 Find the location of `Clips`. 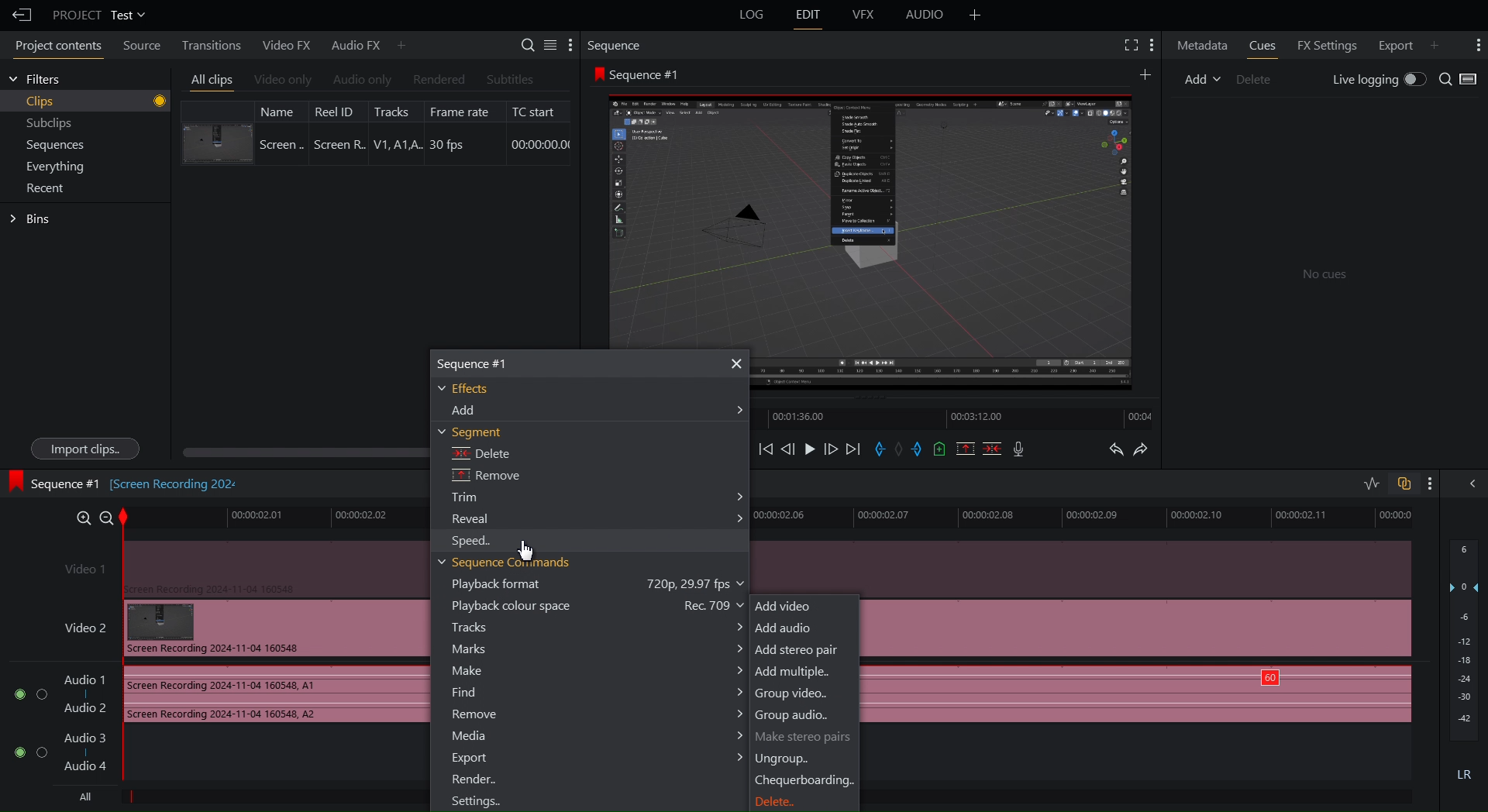

Clips is located at coordinates (96, 101).